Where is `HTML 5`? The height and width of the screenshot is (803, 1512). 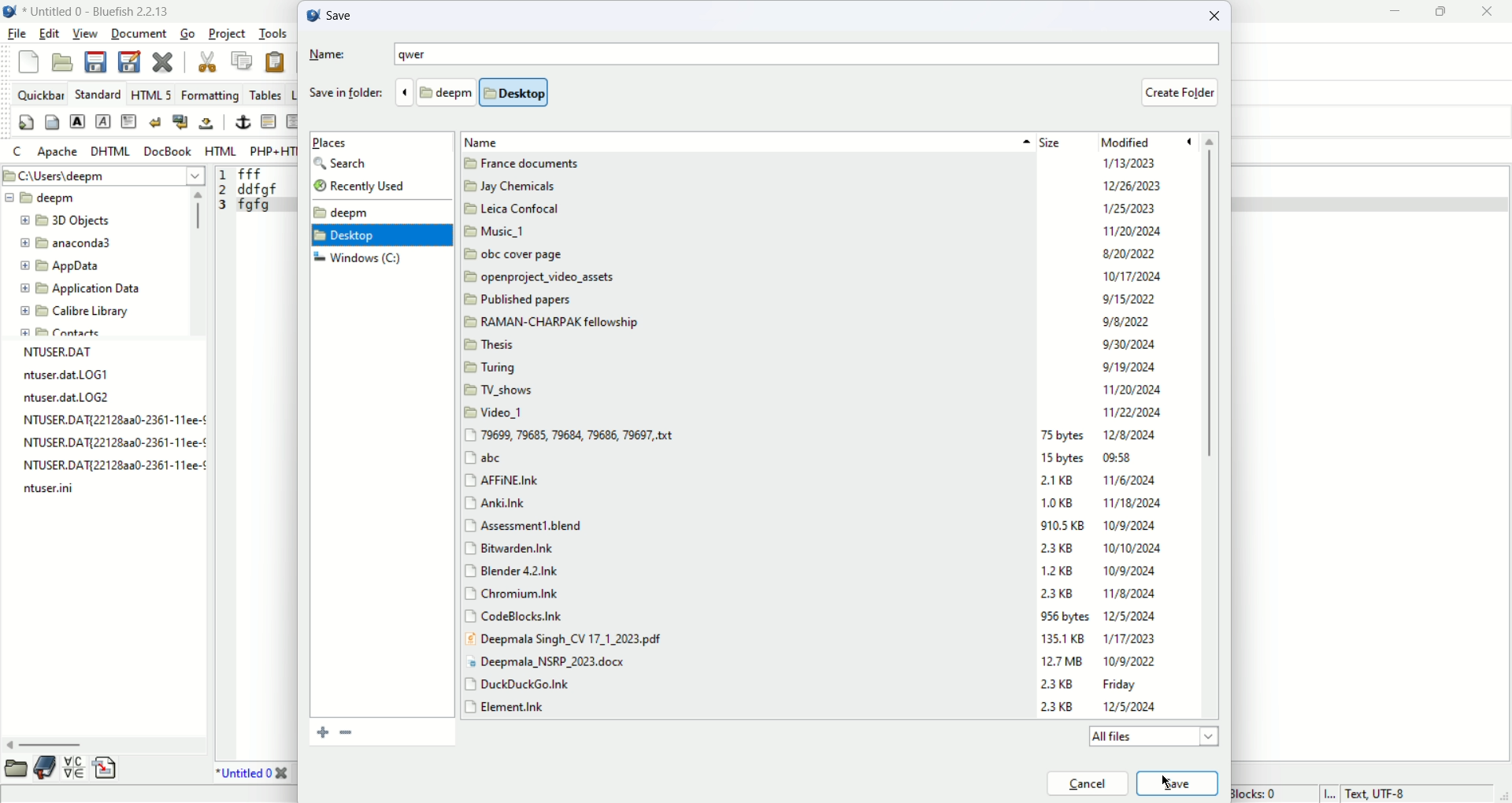
HTML 5 is located at coordinates (152, 94).